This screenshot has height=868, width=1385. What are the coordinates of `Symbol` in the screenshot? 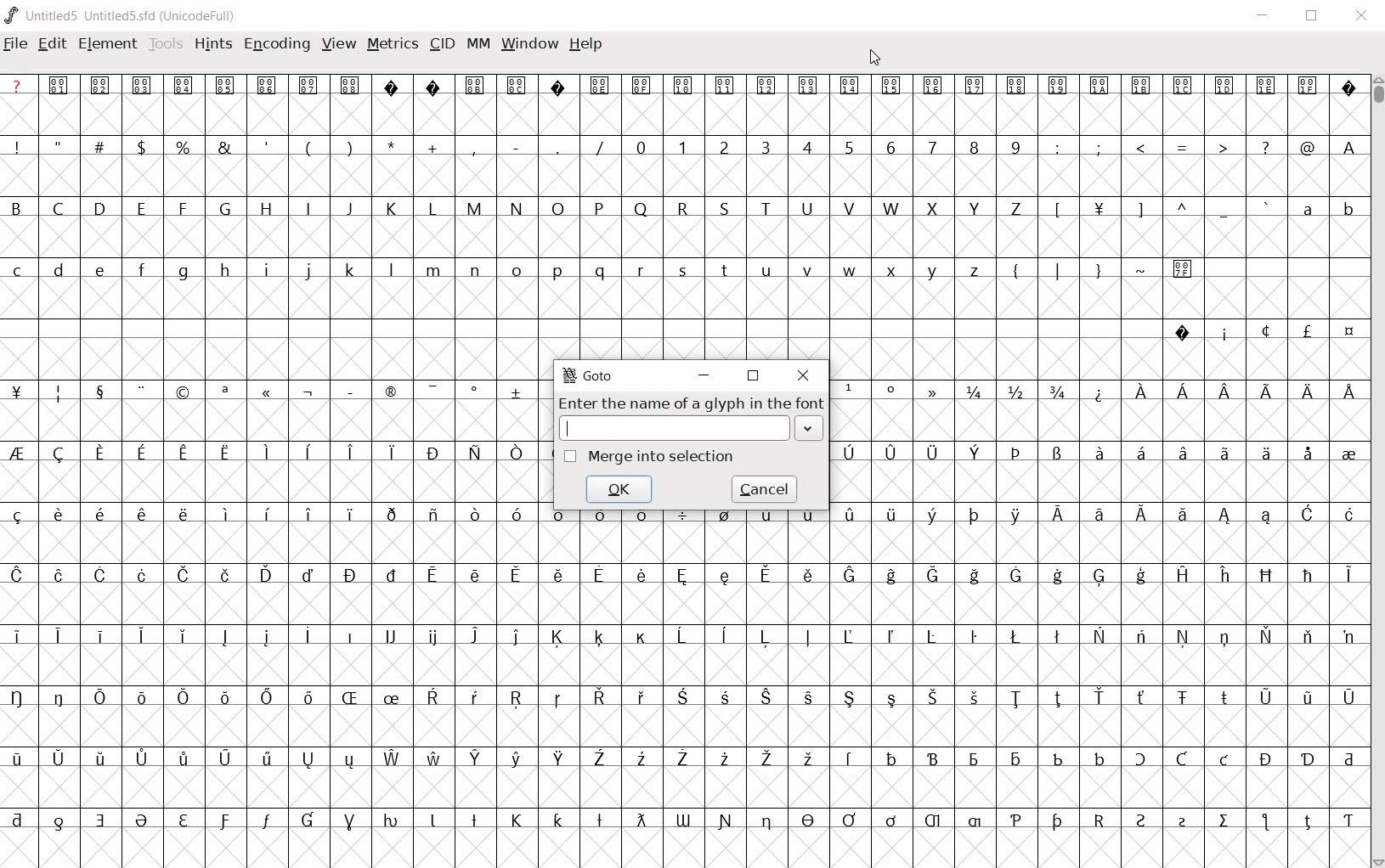 It's located at (849, 575).